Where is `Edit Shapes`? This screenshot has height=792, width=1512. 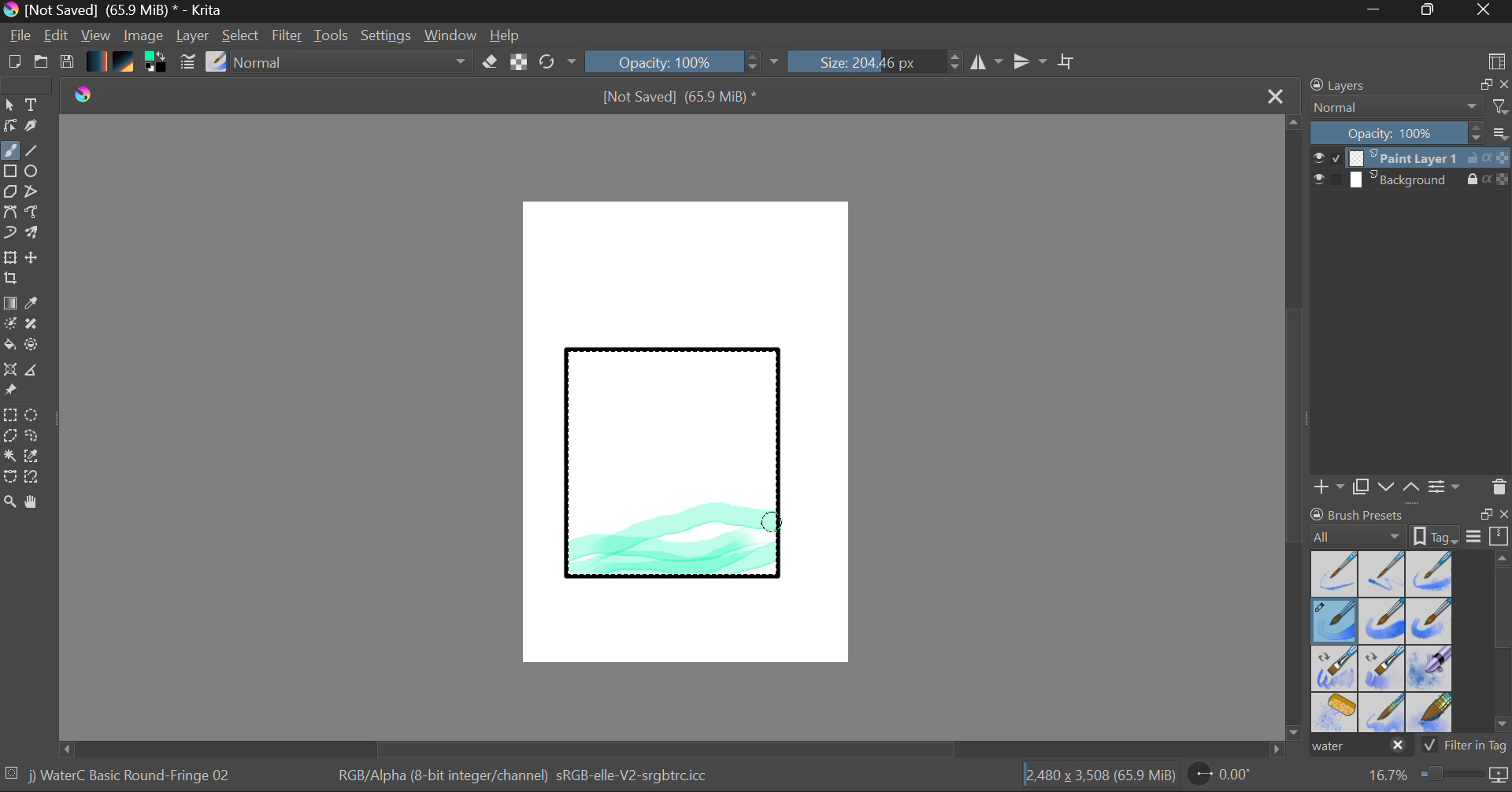 Edit Shapes is located at coordinates (9, 128).